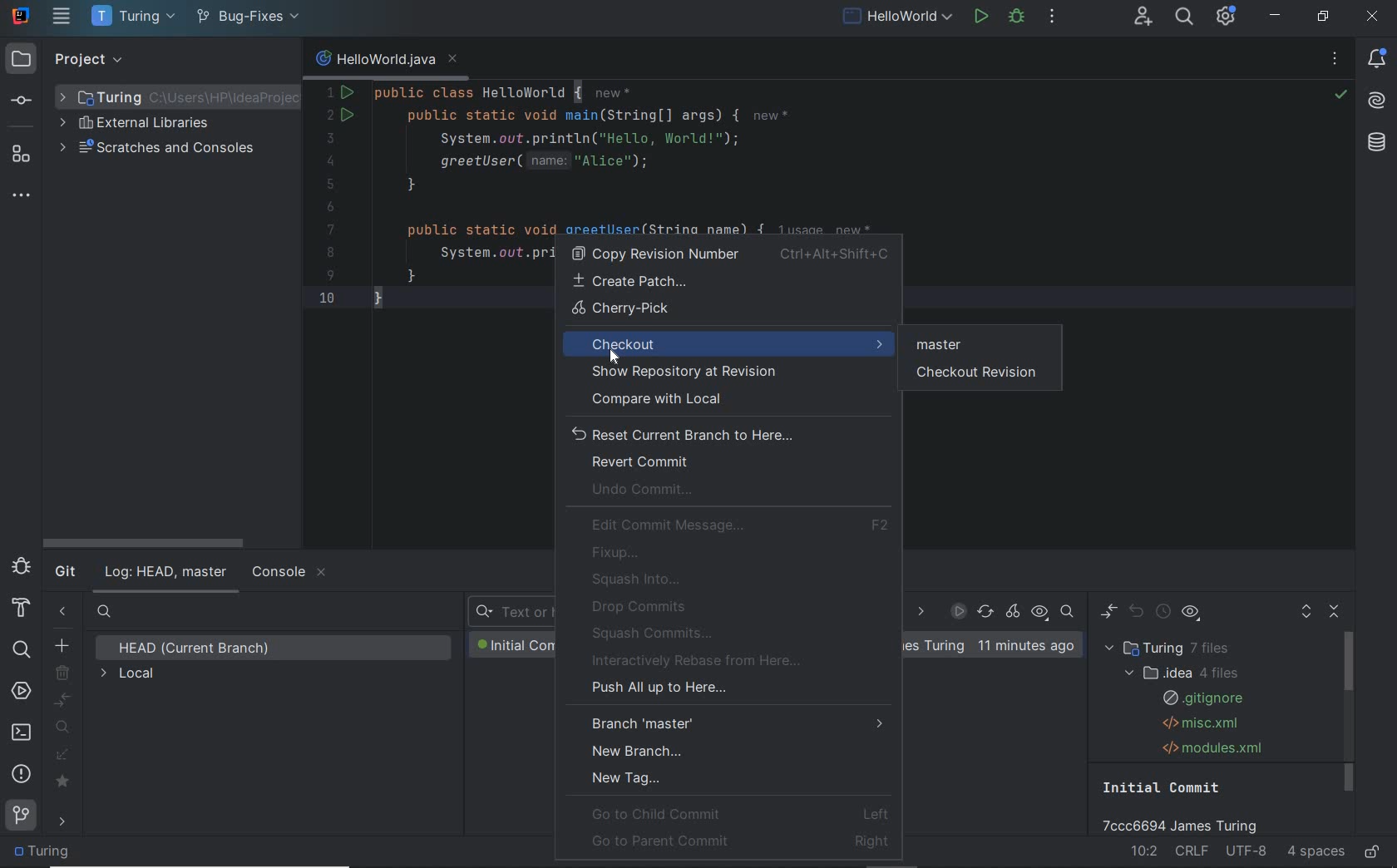 The width and height of the screenshot is (1397, 868). What do you see at coordinates (619, 553) in the screenshot?
I see `fixup` at bounding box center [619, 553].